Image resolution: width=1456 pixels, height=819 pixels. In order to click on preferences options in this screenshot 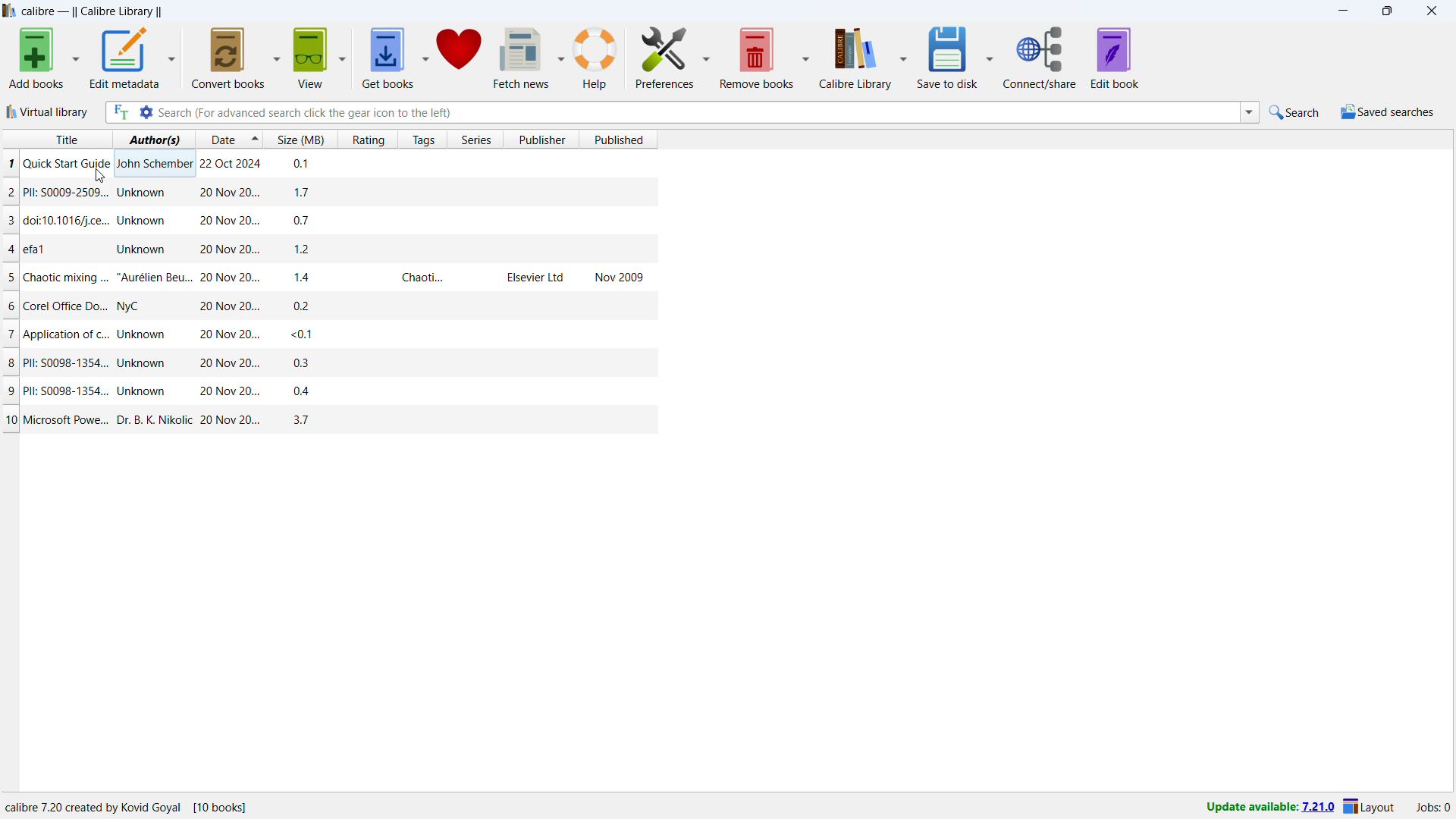, I will do `click(706, 55)`.